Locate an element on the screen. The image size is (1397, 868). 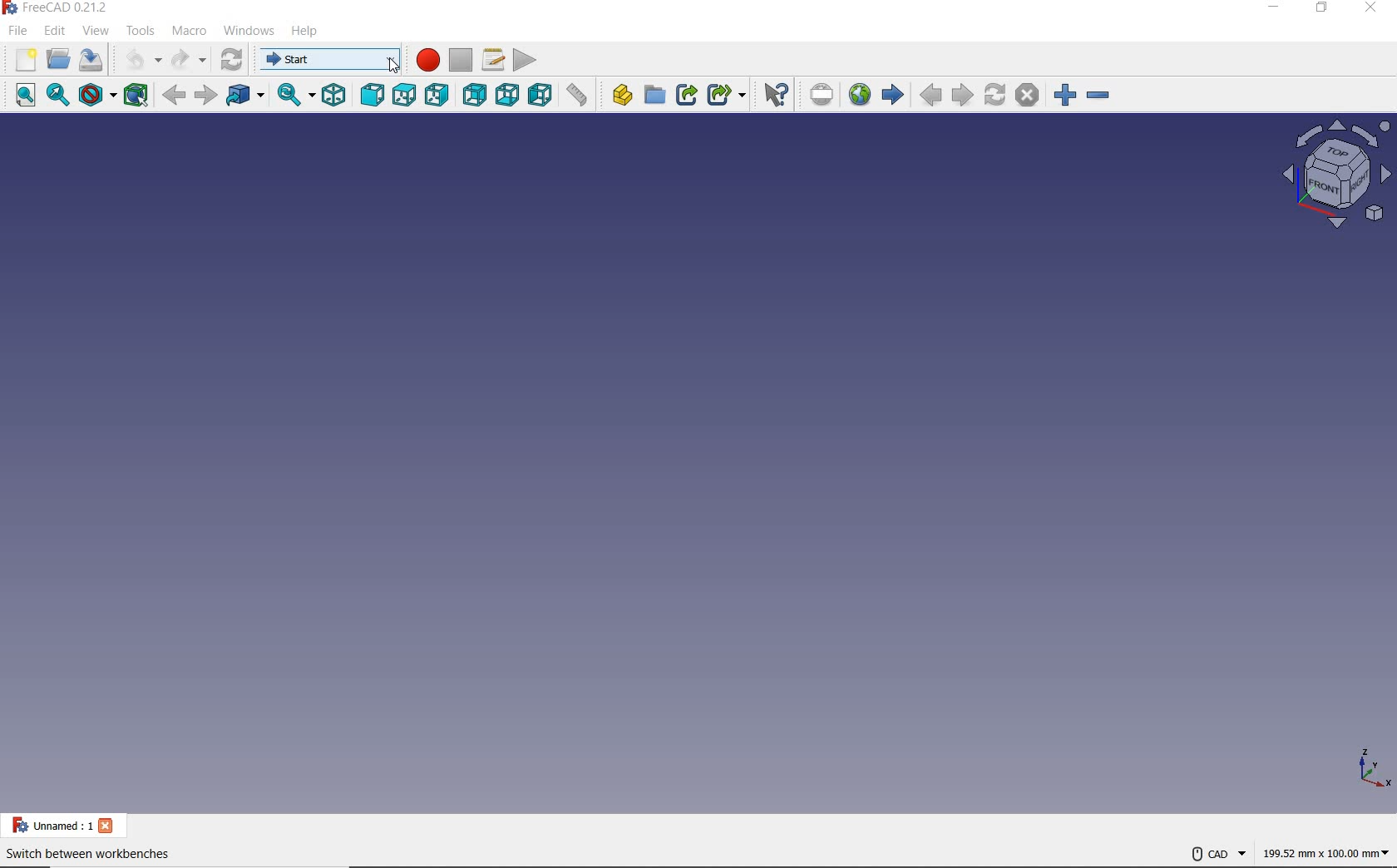
RIGHT is located at coordinates (437, 96).